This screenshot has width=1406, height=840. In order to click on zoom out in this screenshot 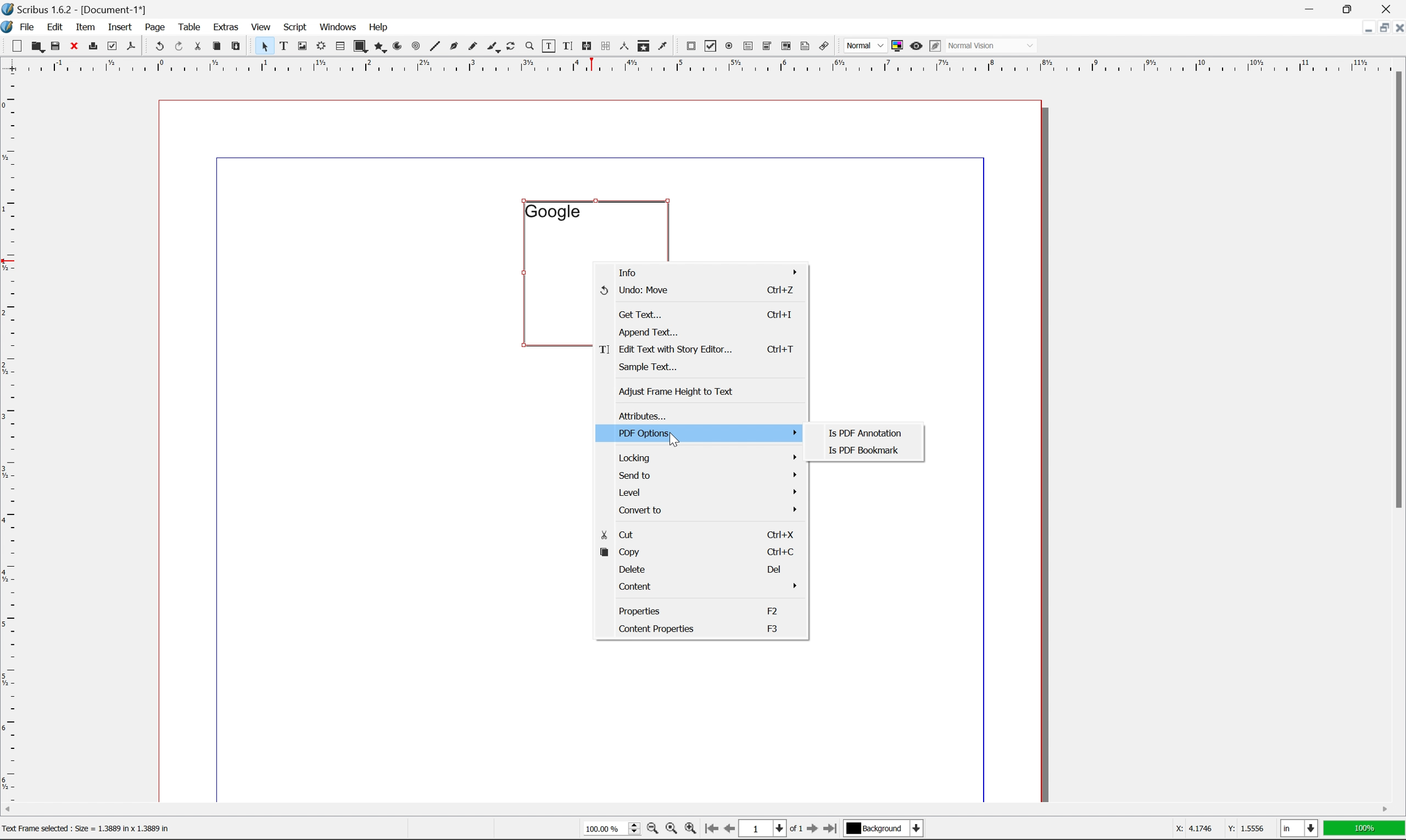, I will do `click(649, 830)`.